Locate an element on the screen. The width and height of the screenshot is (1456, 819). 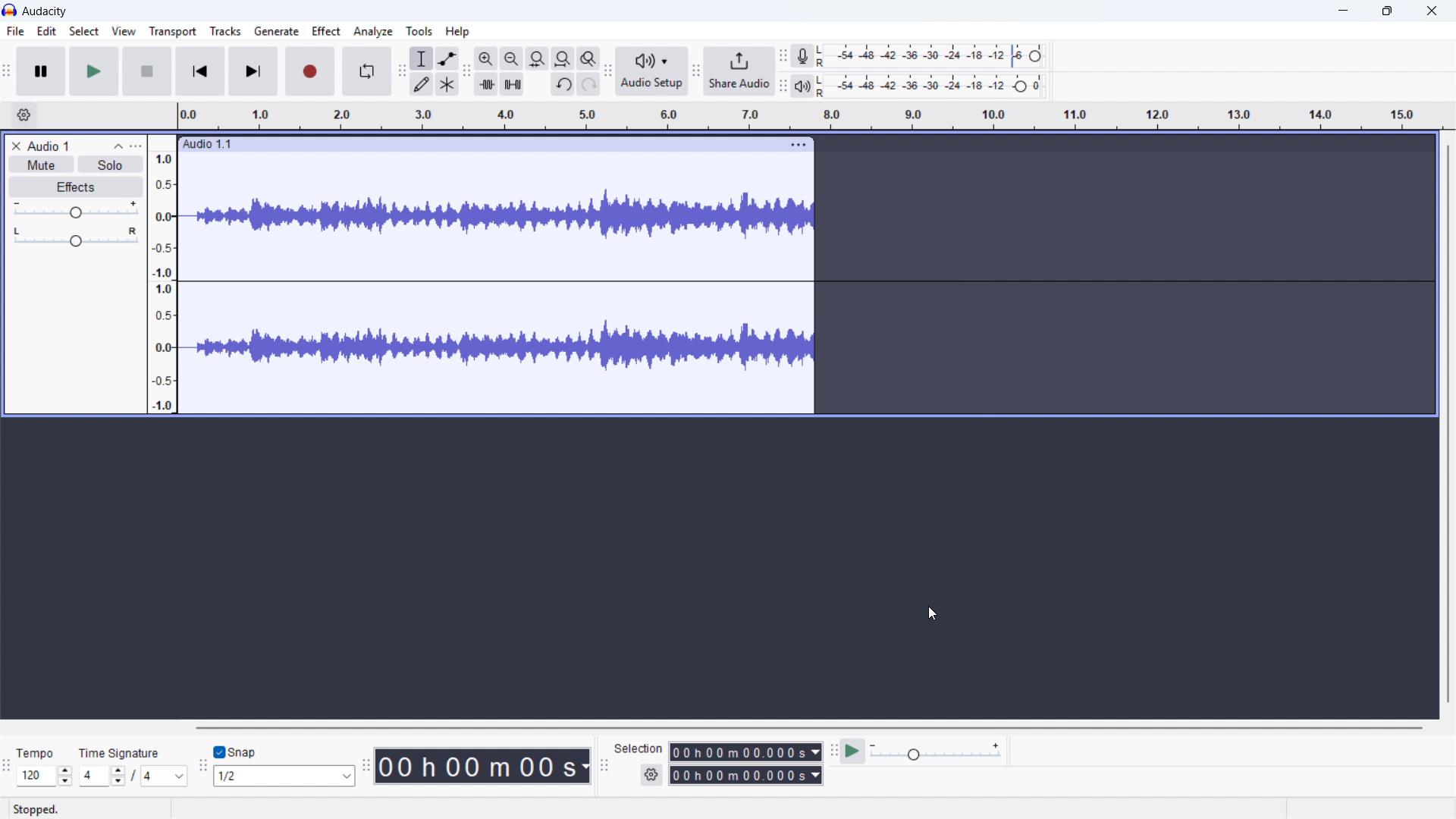
Selection end time  is located at coordinates (745, 775).